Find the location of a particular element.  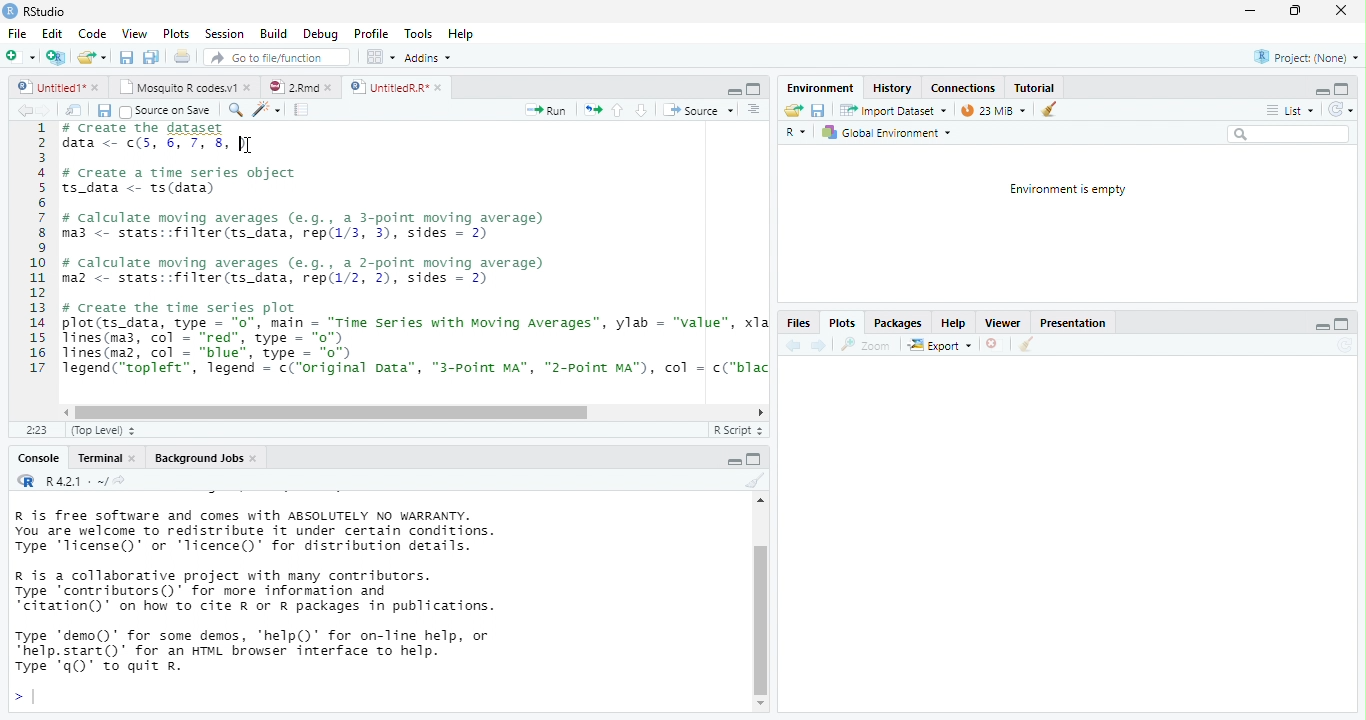

Presentation is located at coordinates (1071, 325).